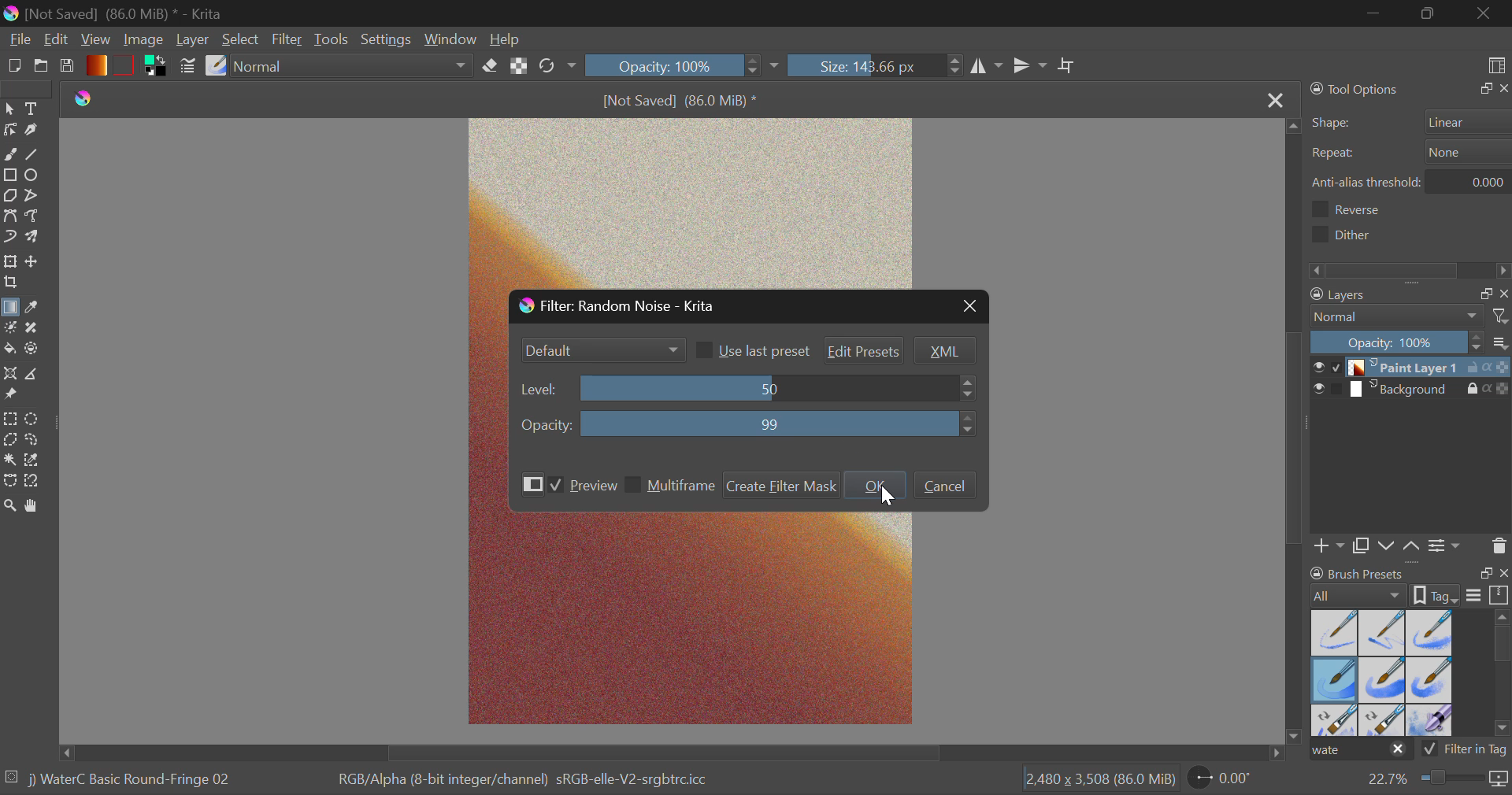 This screenshot has height=795, width=1512. What do you see at coordinates (671, 485) in the screenshot?
I see `Multiframe` at bounding box center [671, 485].